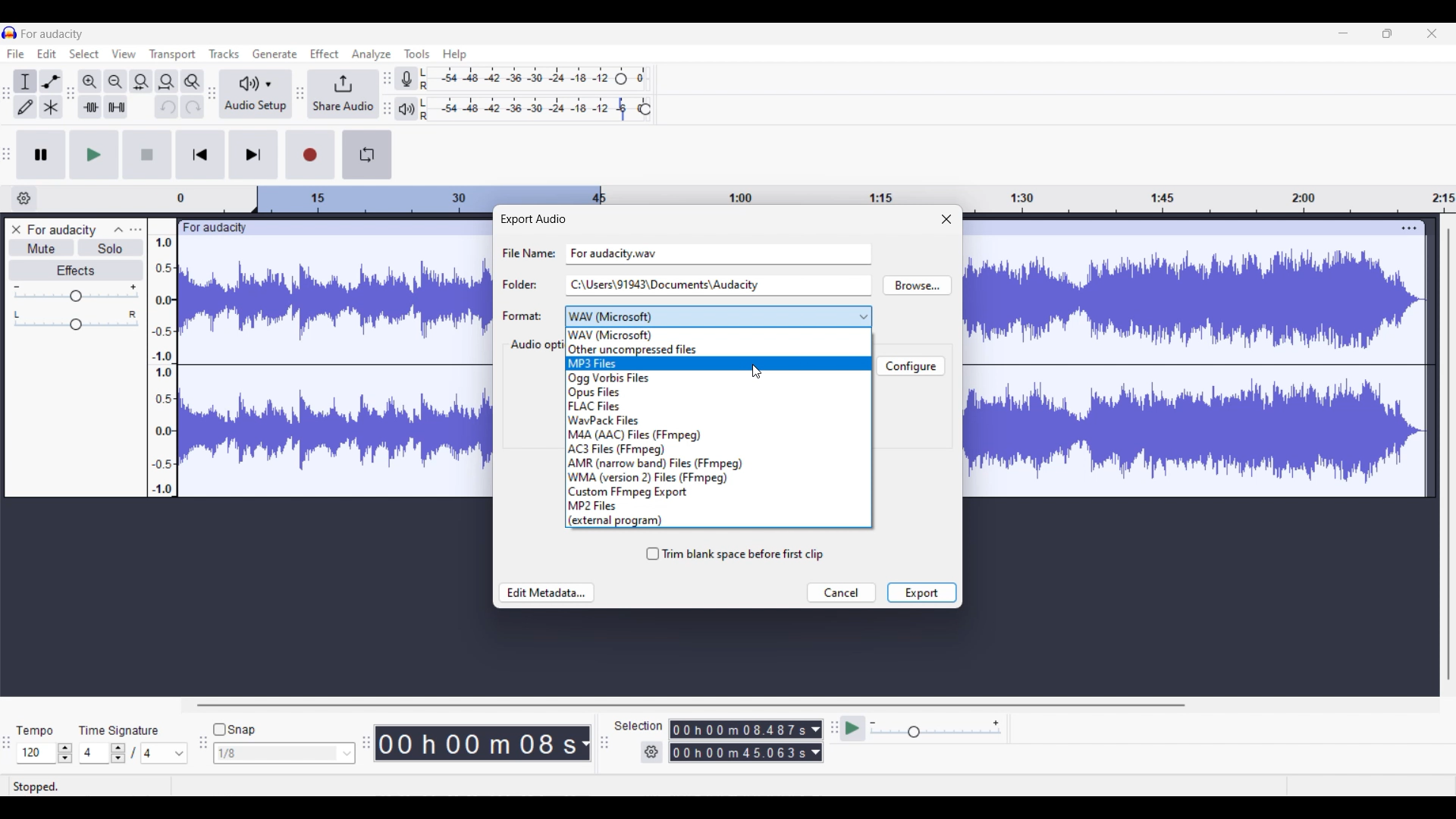 This screenshot has width=1456, height=819. I want to click on Tools menu, so click(417, 54).